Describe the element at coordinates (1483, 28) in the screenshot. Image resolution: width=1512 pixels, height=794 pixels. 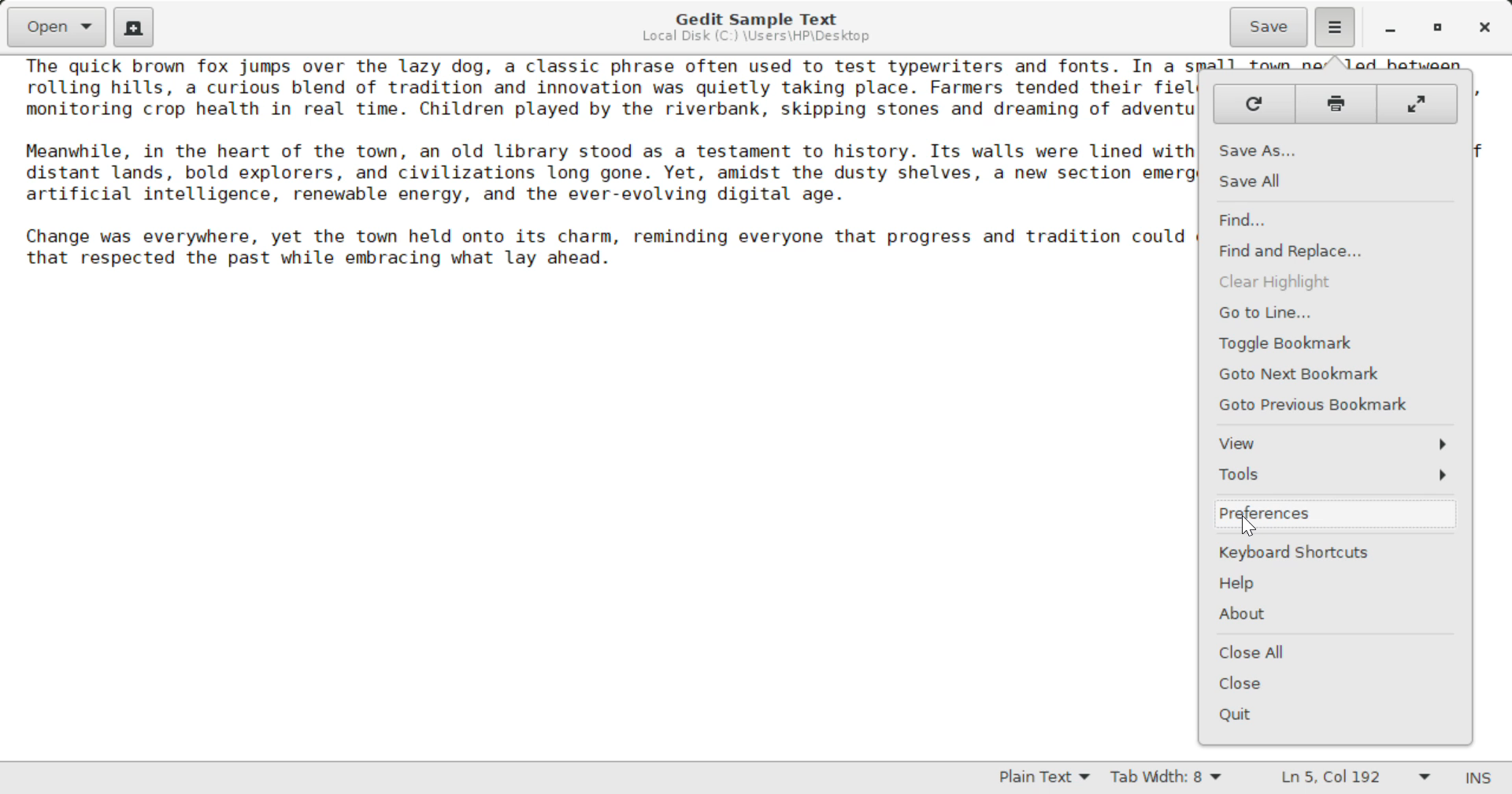
I see `Close Window` at that location.